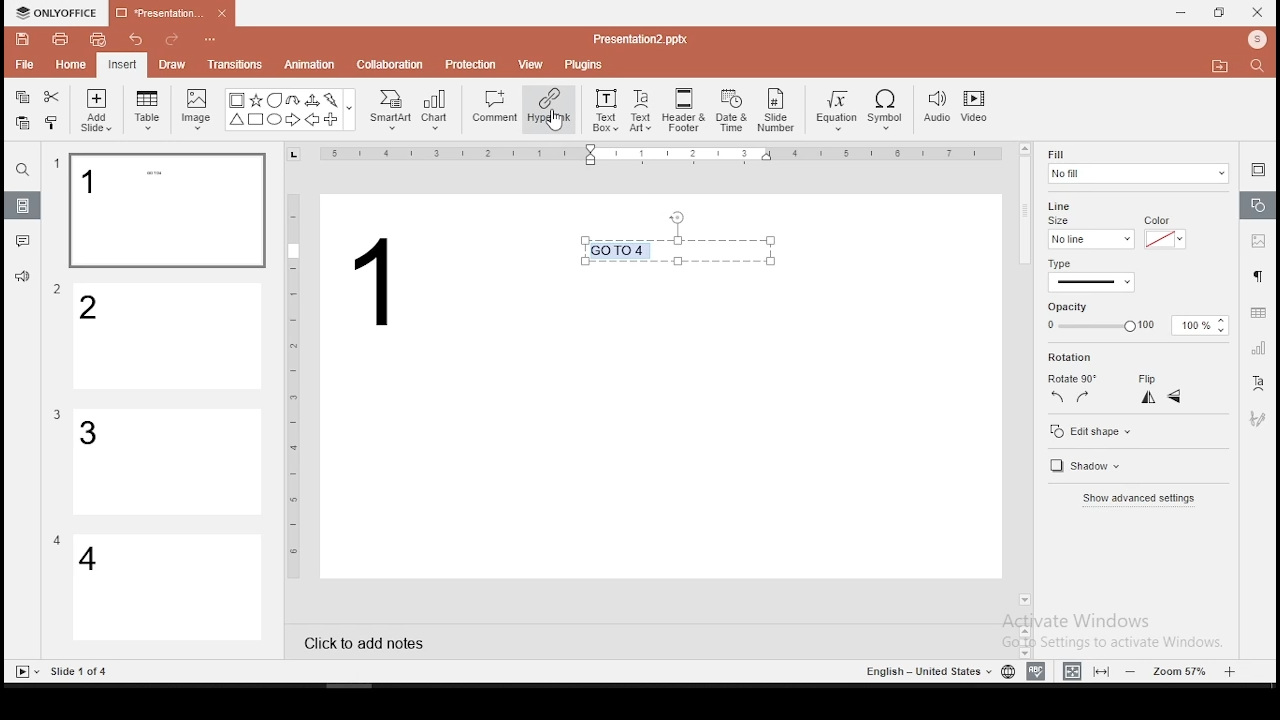 The height and width of the screenshot is (720, 1280). I want to click on Trianlge, so click(235, 120).